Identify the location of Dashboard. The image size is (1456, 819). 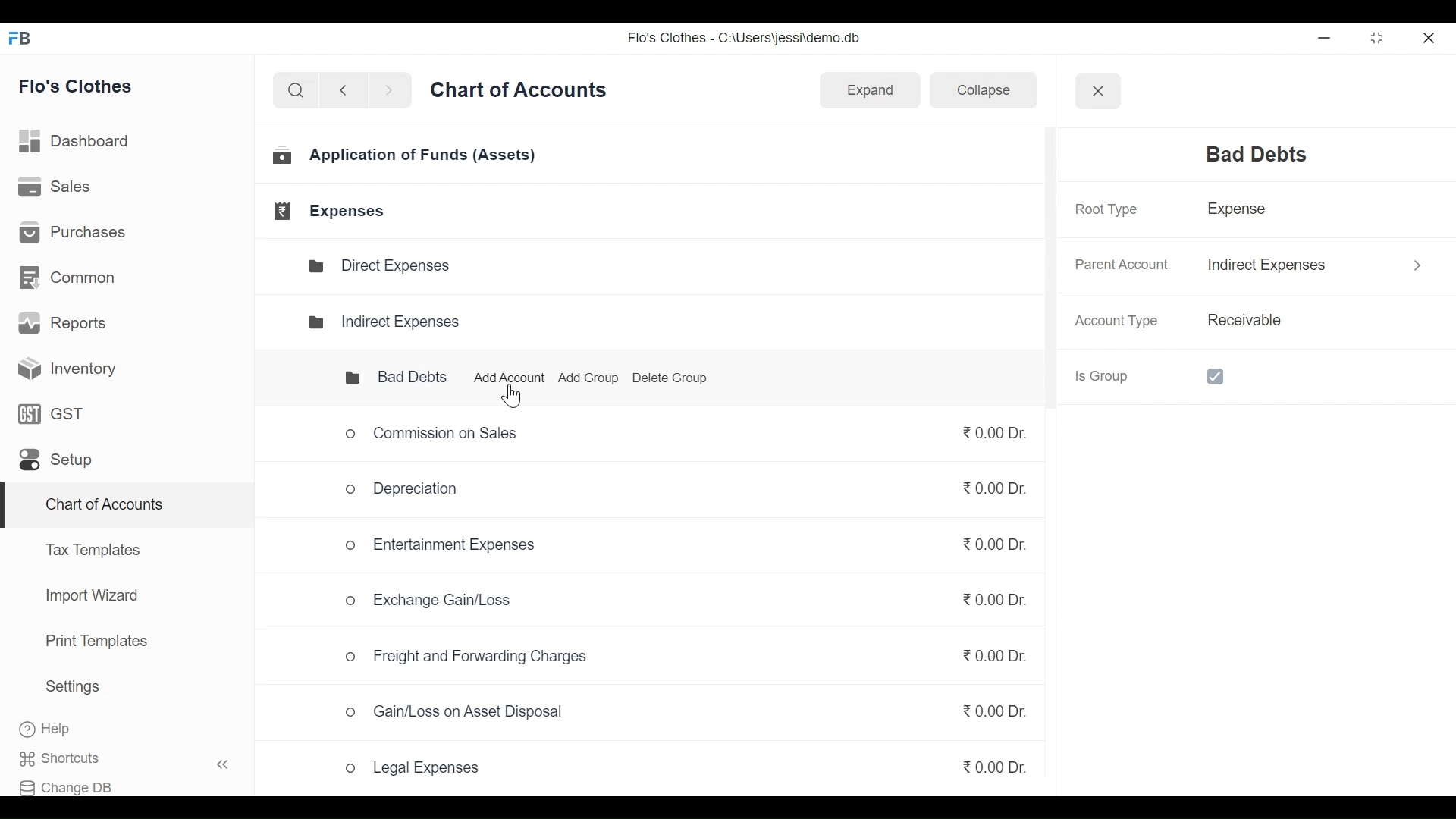
(81, 141).